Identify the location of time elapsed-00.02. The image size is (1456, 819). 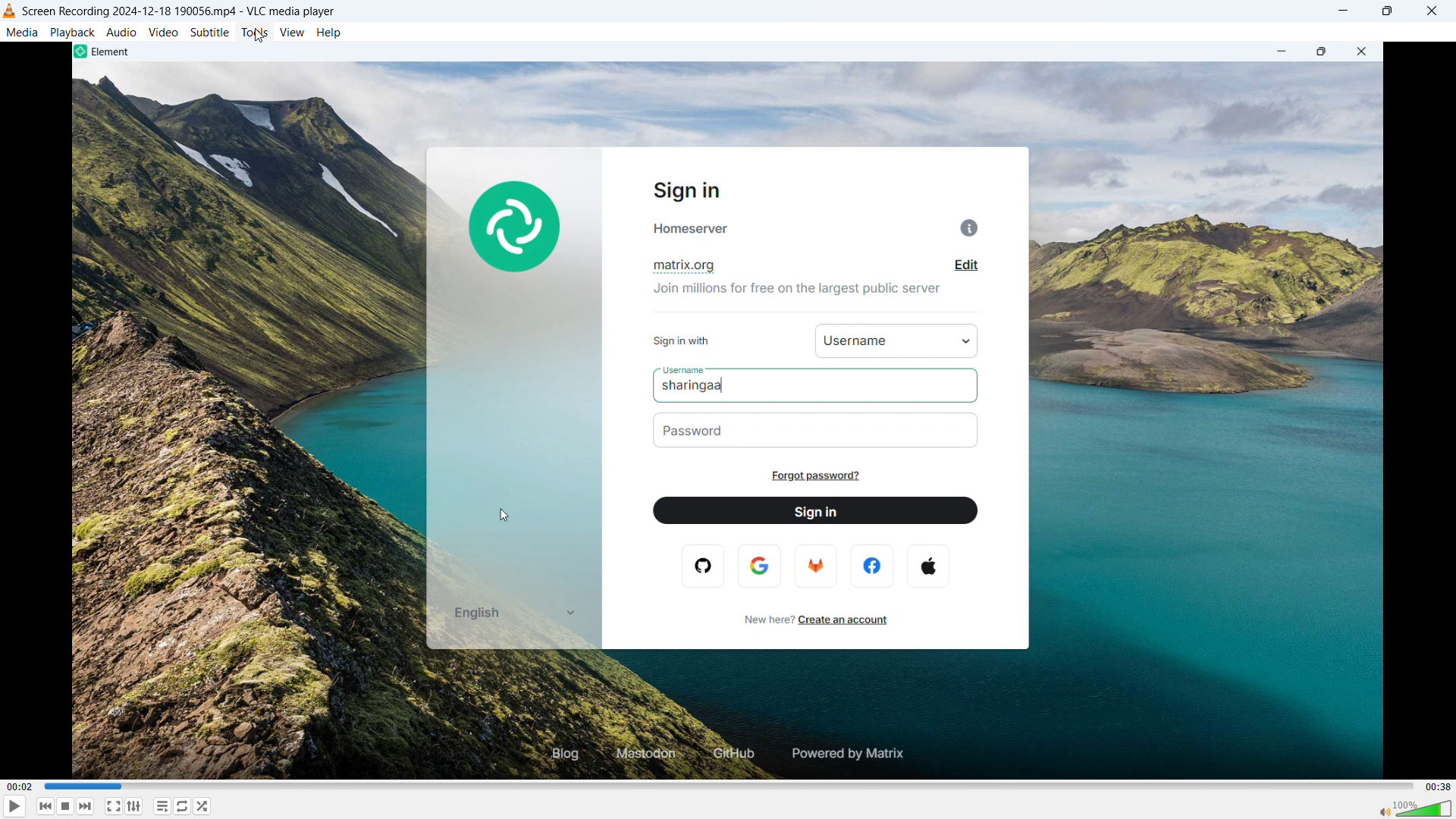
(21, 786).